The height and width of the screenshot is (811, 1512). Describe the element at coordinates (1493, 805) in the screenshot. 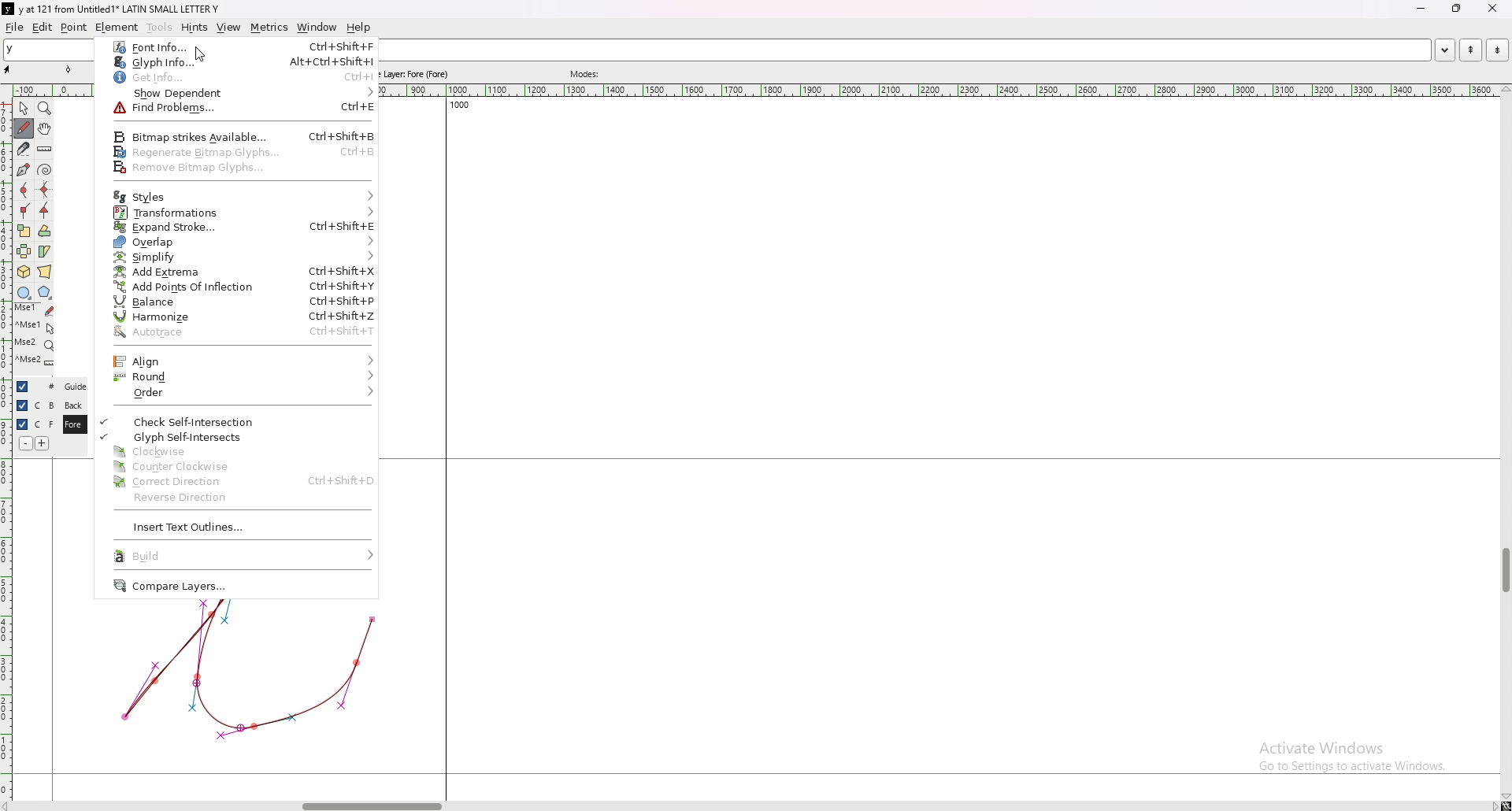

I see `scroll right` at that location.